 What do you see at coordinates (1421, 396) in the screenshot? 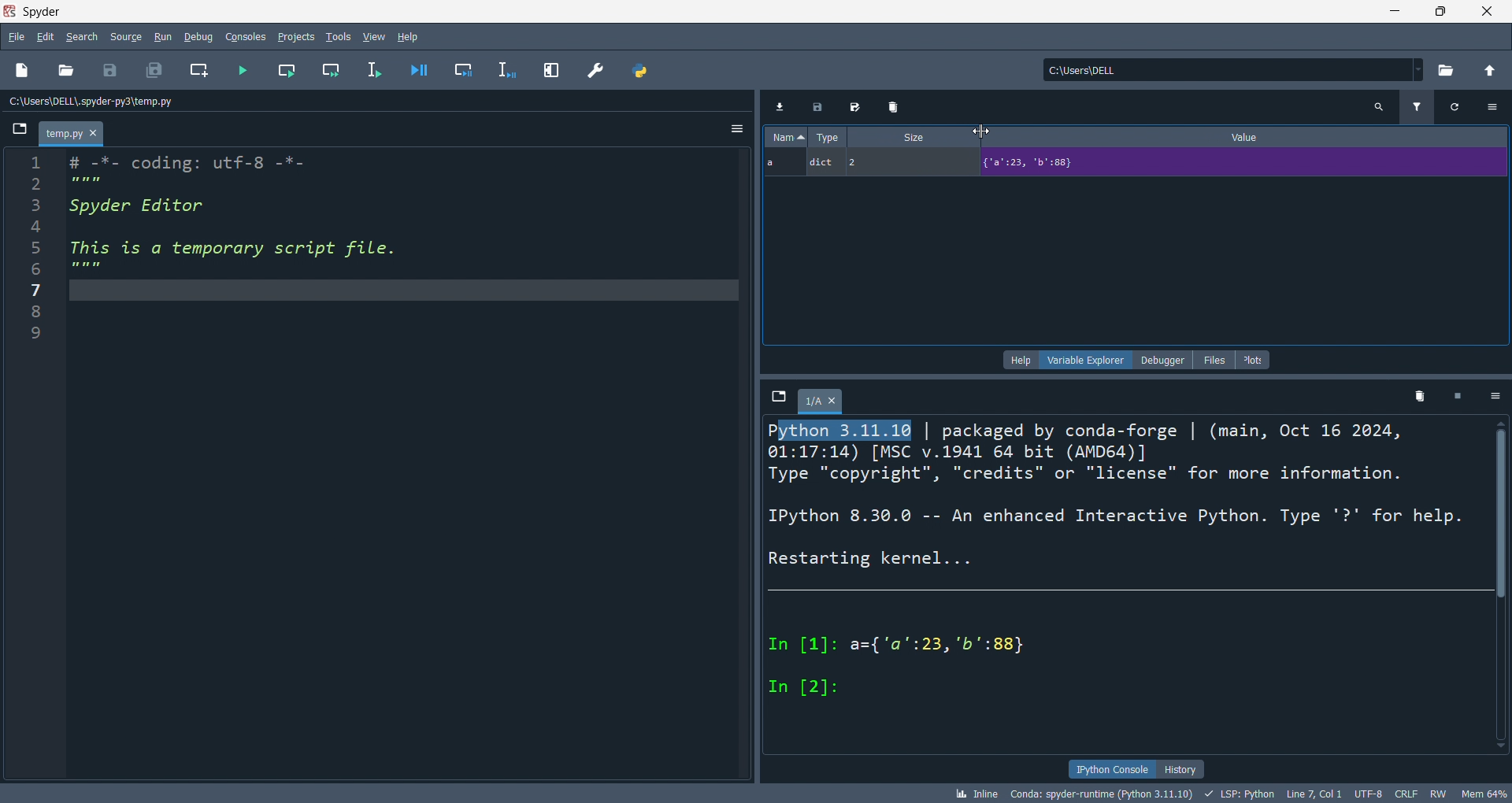
I see `delete` at bounding box center [1421, 396].